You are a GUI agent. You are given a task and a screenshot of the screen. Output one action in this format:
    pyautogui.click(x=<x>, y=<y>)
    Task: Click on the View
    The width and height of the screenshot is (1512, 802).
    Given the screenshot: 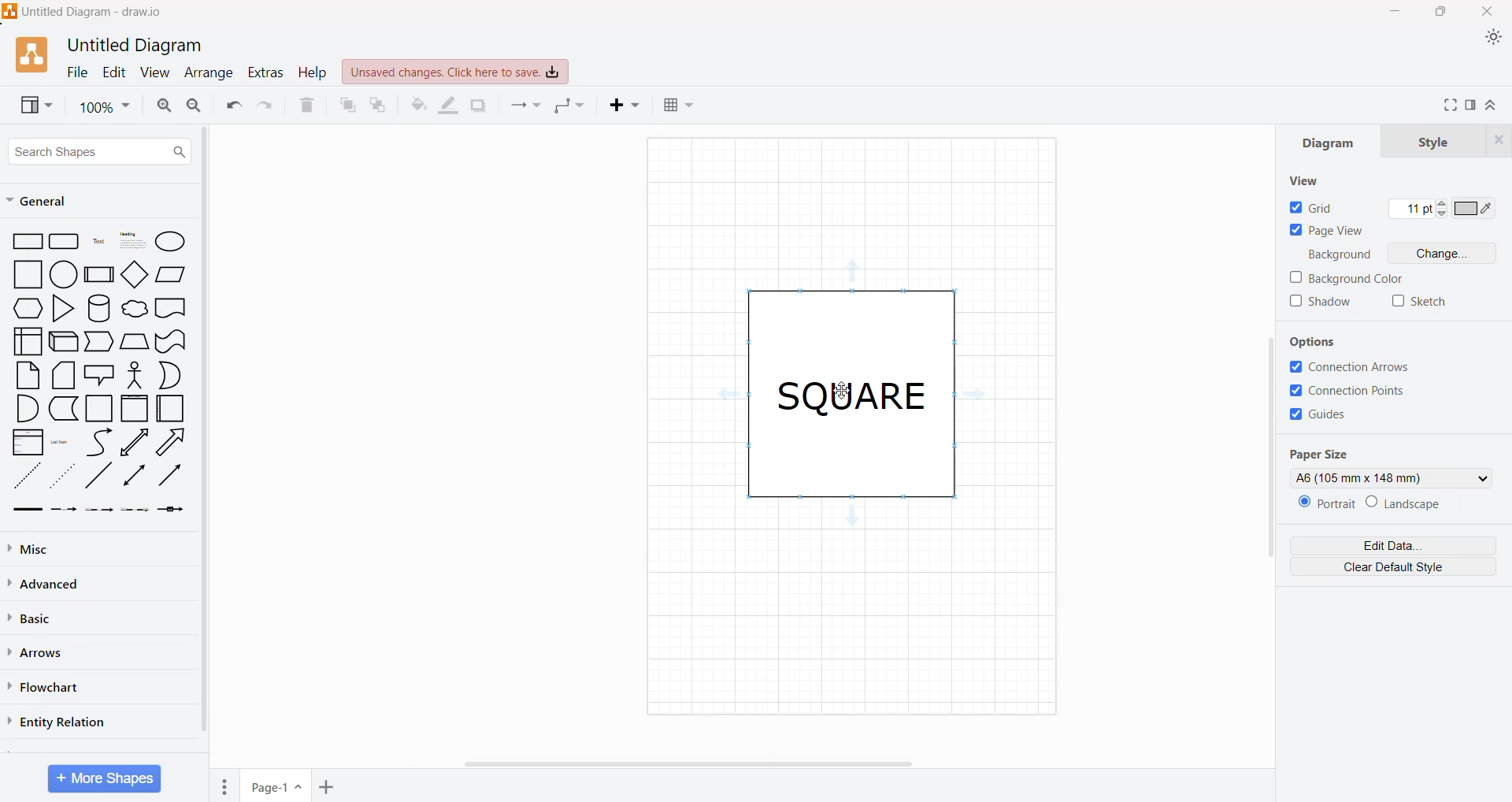 What is the action you would take?
    pyautogui.click(x=1310, y=181)
    